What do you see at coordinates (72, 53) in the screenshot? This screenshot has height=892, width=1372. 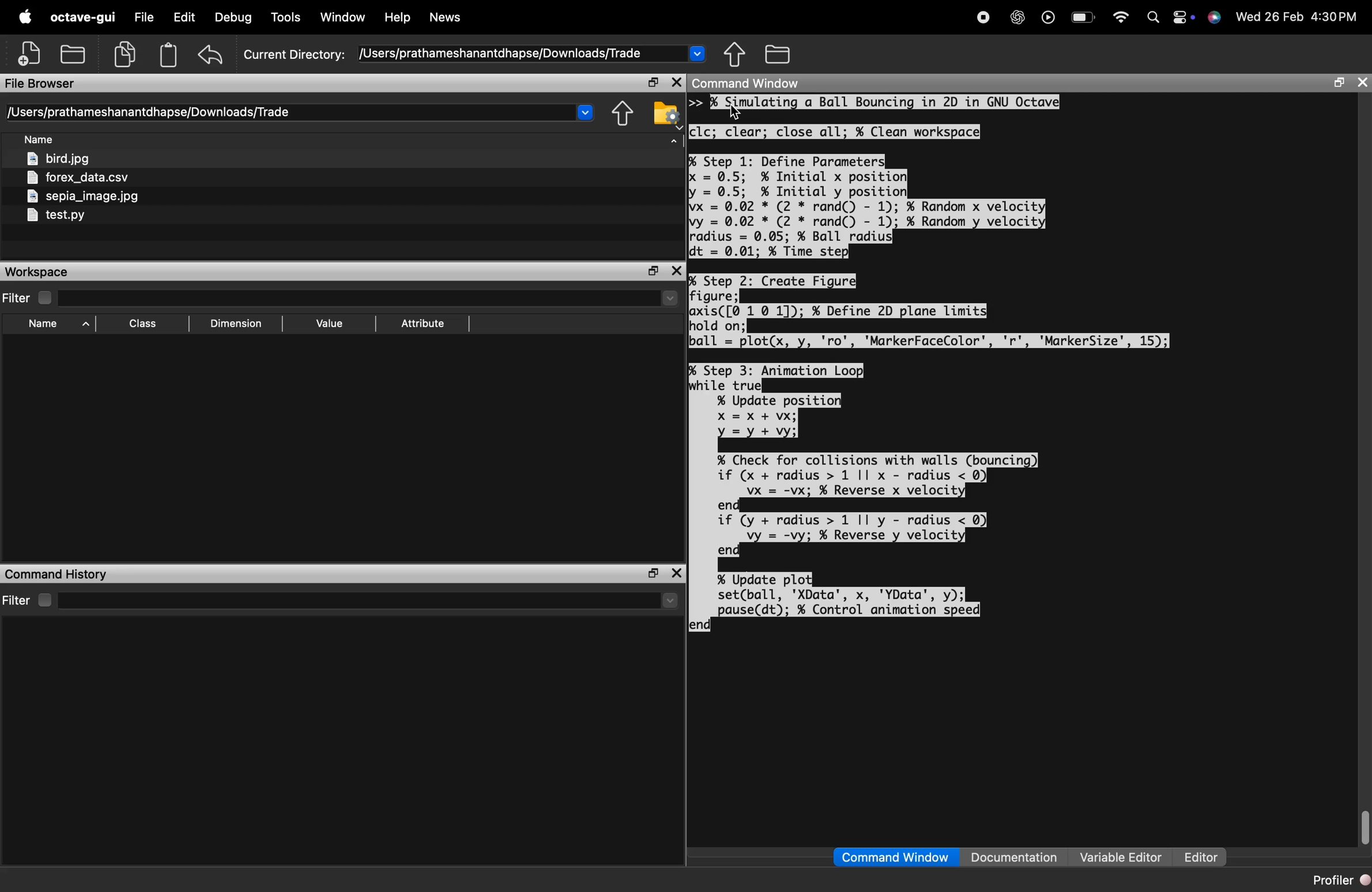 I see `add folder` at bounding box center [72, 53].